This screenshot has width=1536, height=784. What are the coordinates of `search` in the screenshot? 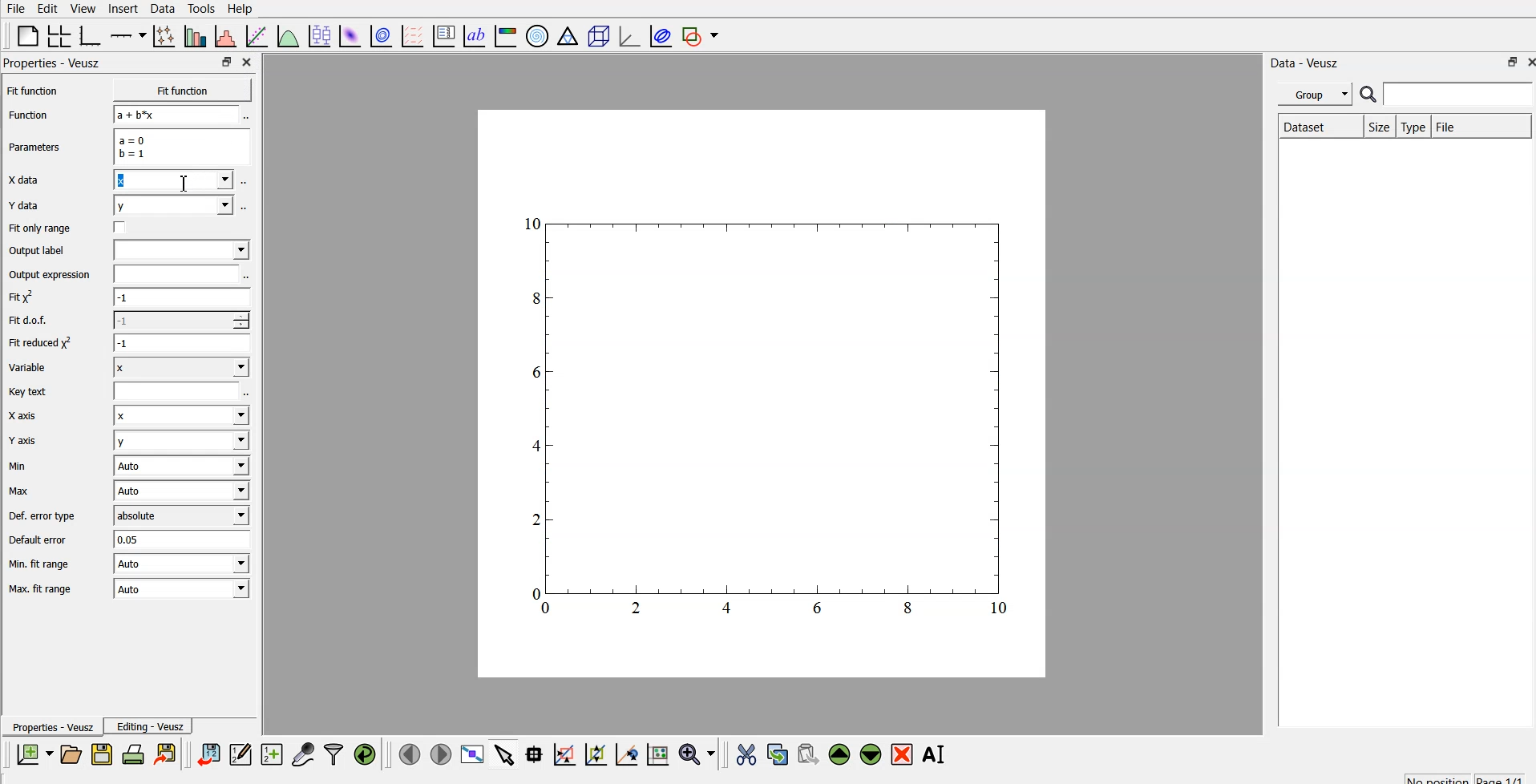 It's located at (1368, 95).